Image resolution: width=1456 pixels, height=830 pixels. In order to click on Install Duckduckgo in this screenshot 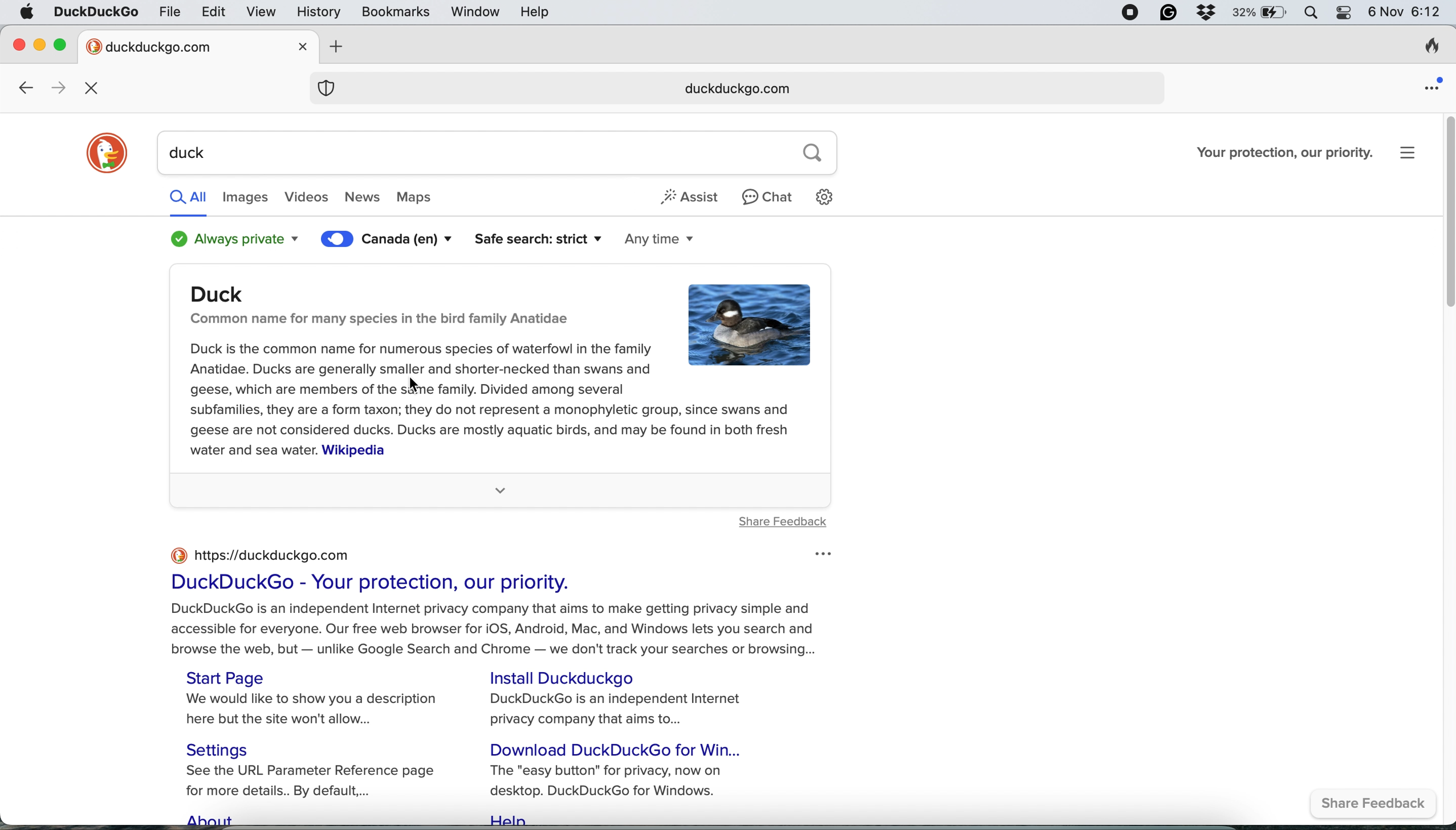, I will do `click(570, 677)`.